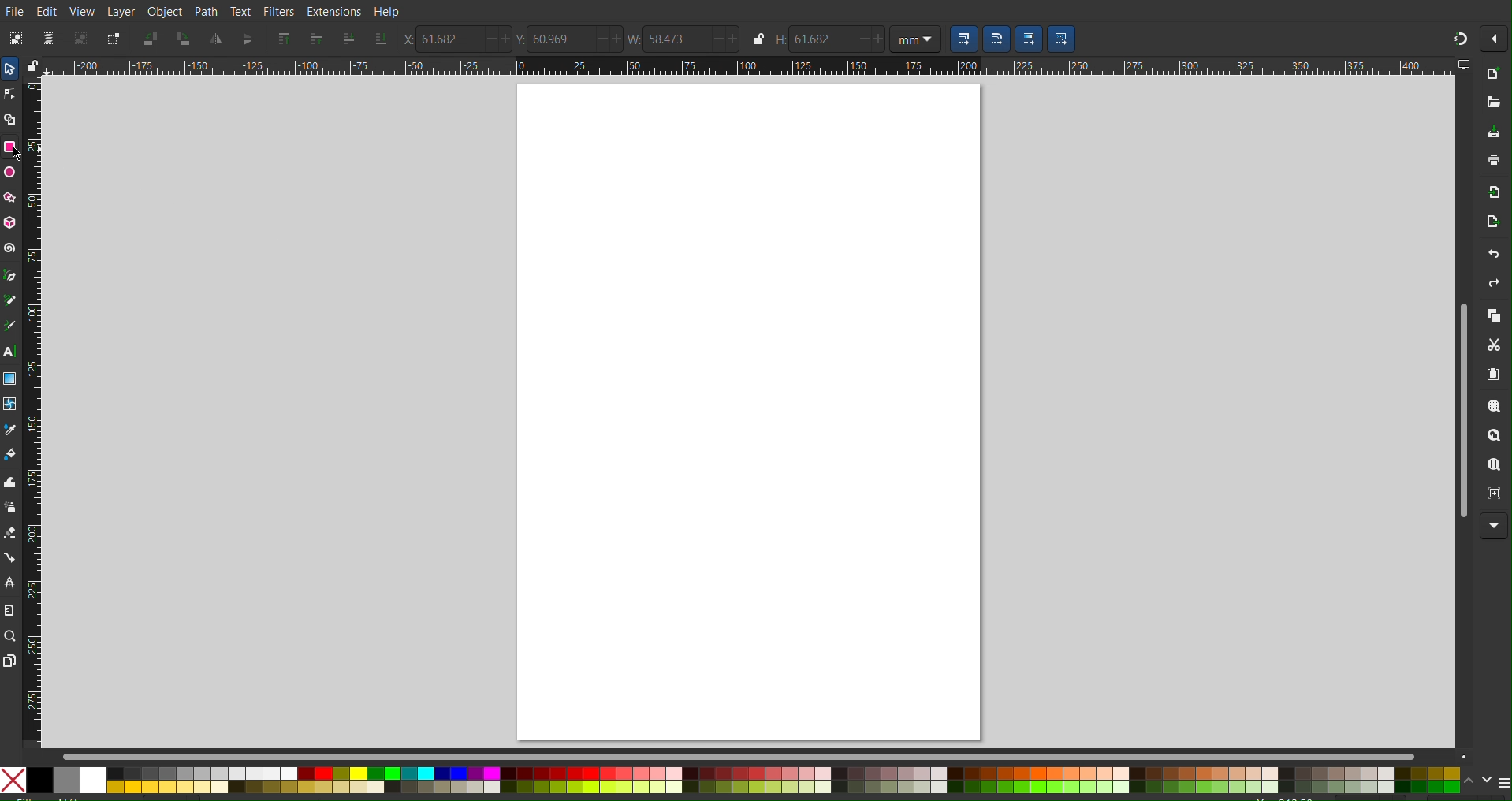 This screenshot has width=1512, height=801. I want to click on Pencil Tool, so click(9, 300).